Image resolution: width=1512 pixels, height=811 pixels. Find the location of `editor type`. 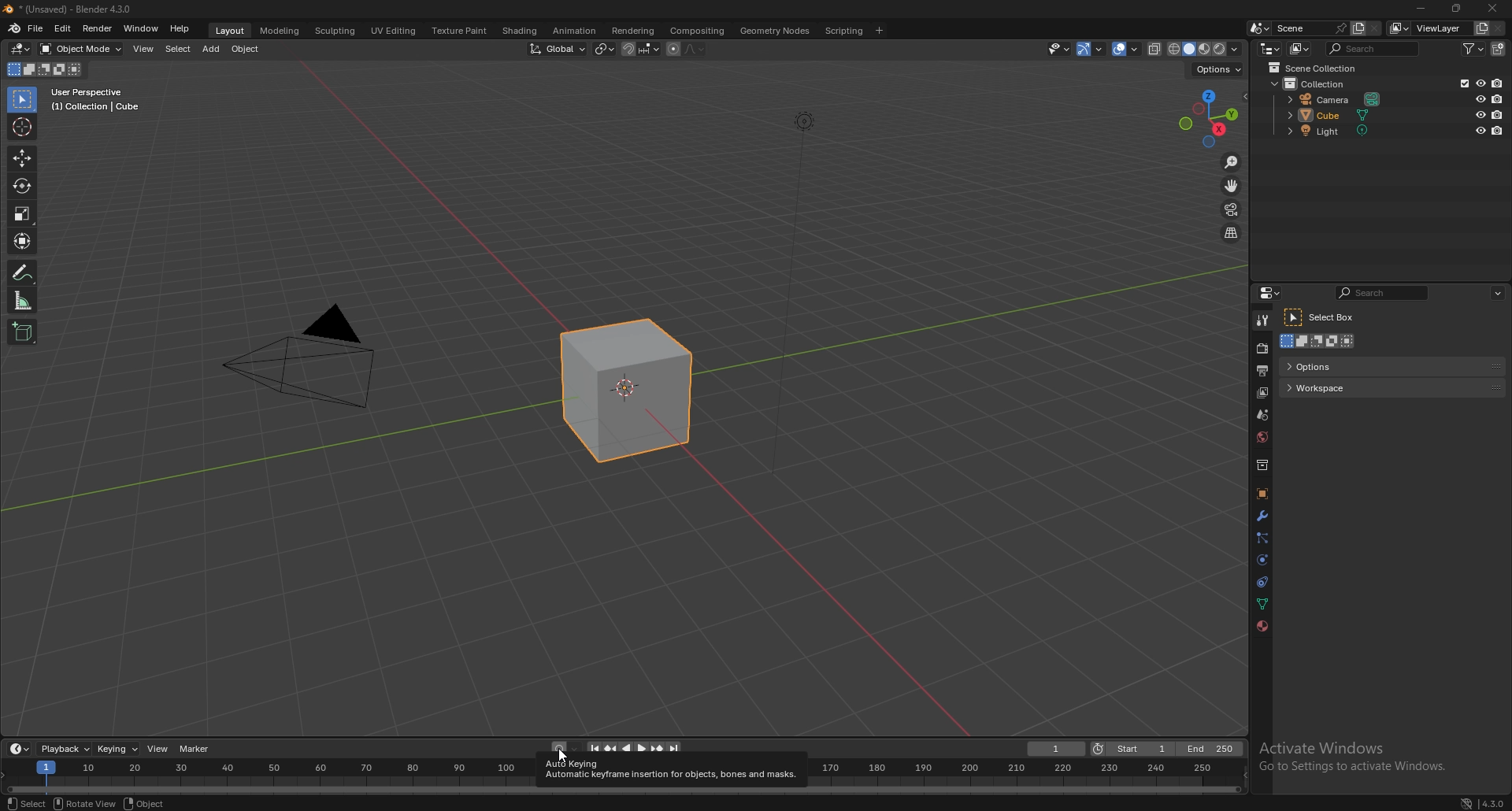

editor type is located at coordinates (21, 49).